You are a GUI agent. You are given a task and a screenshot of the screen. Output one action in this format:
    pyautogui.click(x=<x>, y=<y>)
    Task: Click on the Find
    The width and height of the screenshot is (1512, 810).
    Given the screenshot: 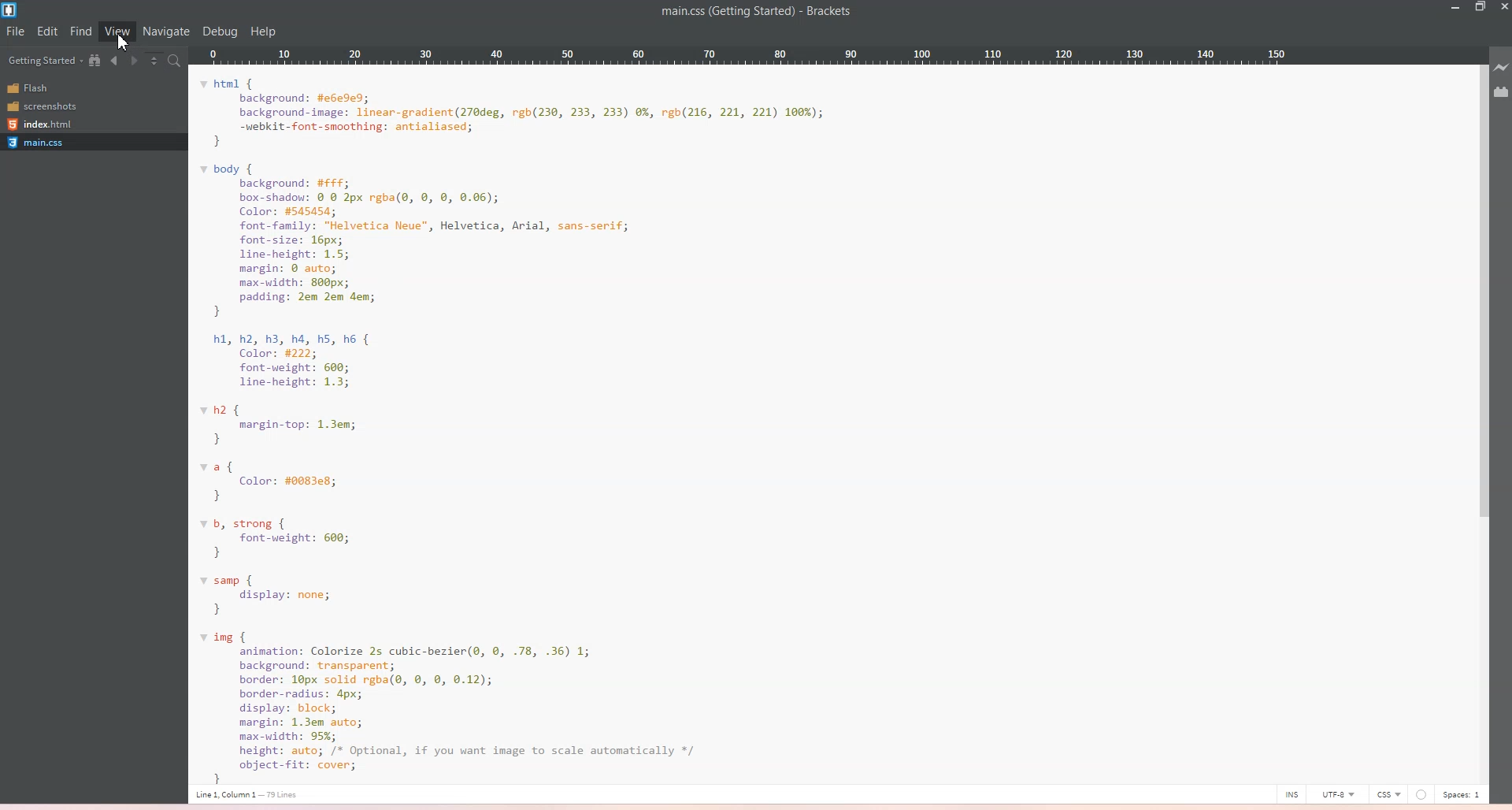 What is the action you would take?
    pyautogui.click(x=81, y=31)
    